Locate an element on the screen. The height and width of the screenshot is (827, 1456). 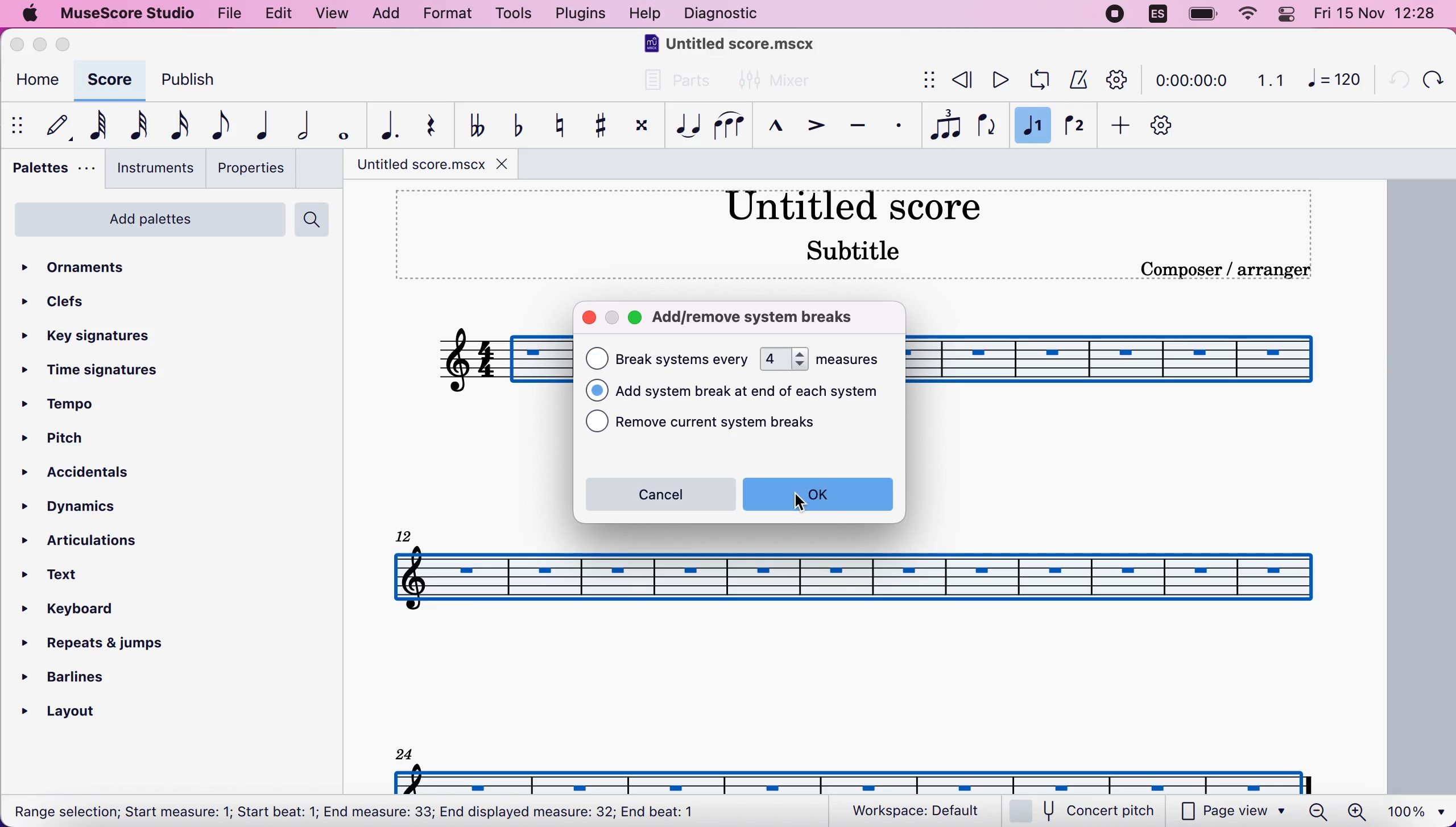
playback settings is located at coordinates (1118, 79).